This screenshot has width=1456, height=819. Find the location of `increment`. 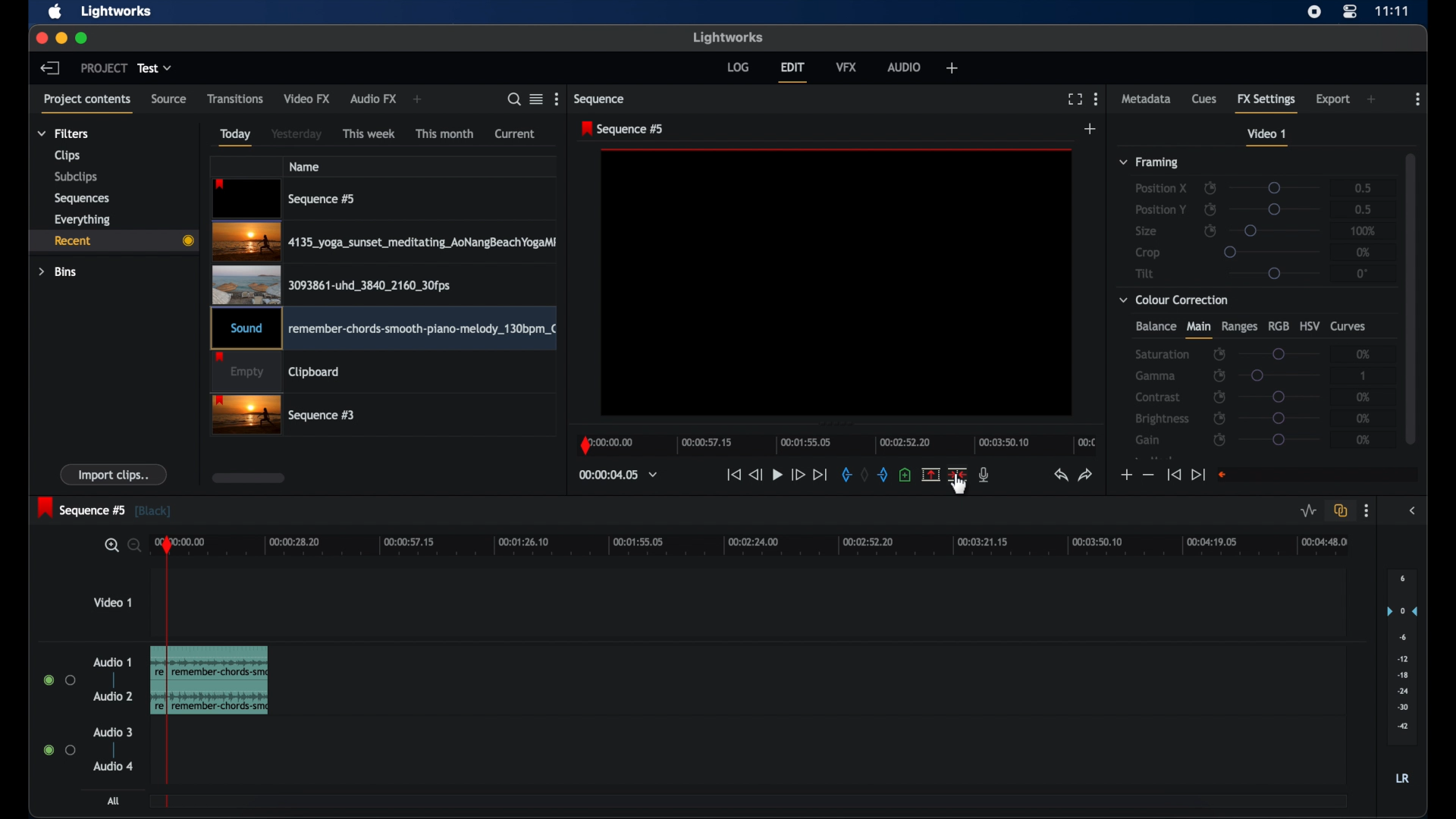

increment is located at coordinates (1125, 475).